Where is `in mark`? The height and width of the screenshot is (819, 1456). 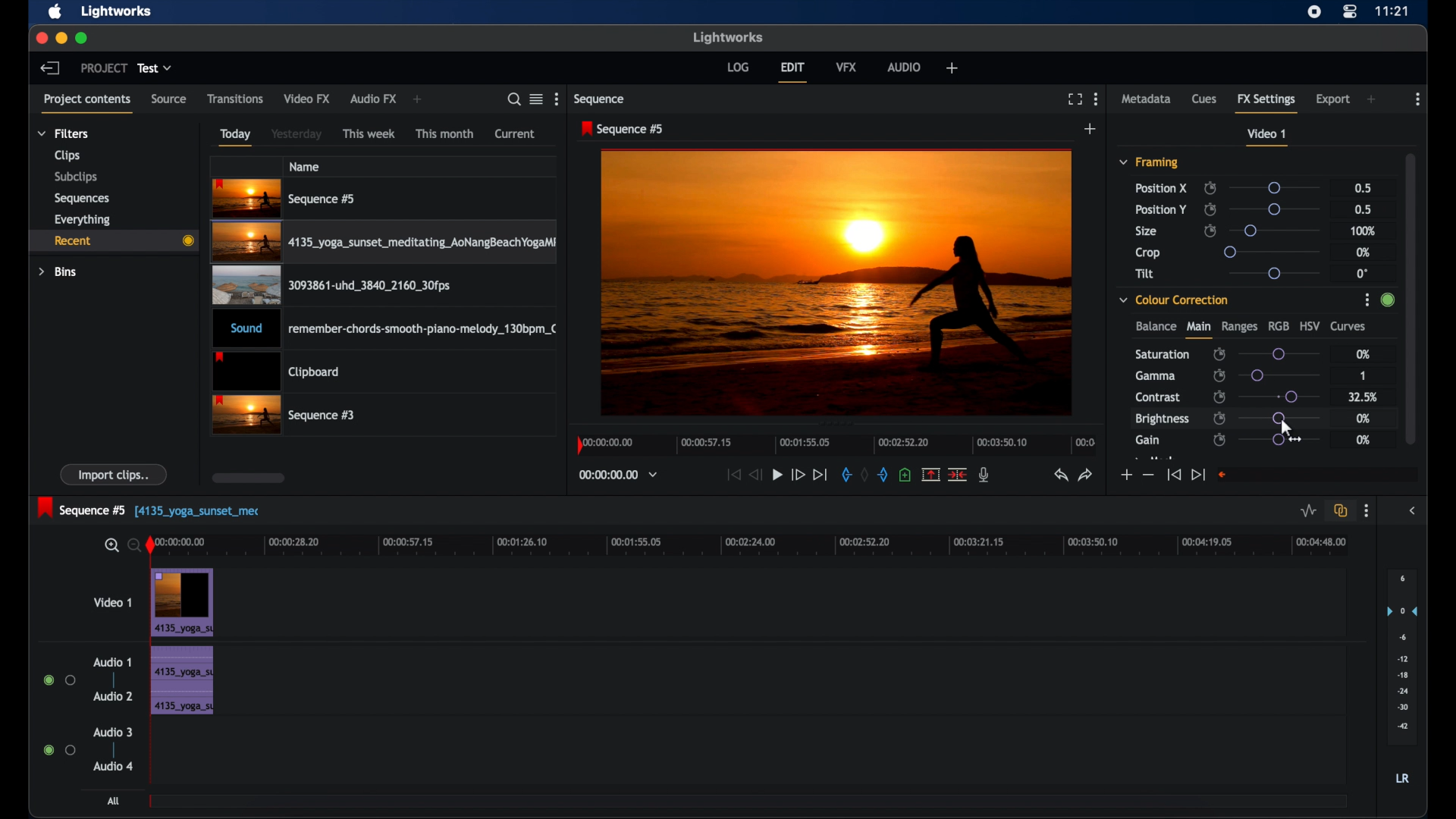
in mark is located at coordinates (846, 477).